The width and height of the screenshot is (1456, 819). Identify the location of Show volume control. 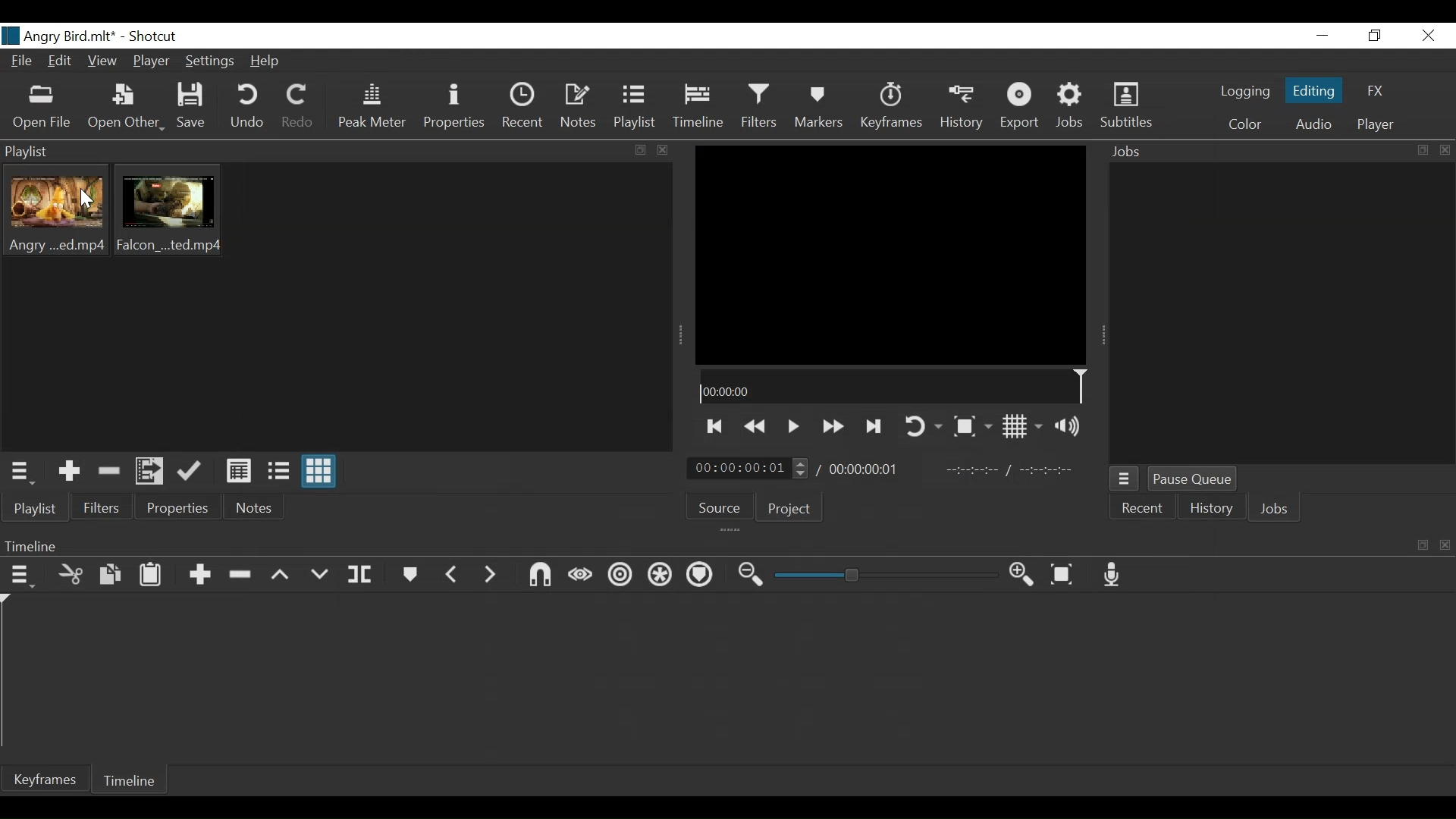
(1072, 425).